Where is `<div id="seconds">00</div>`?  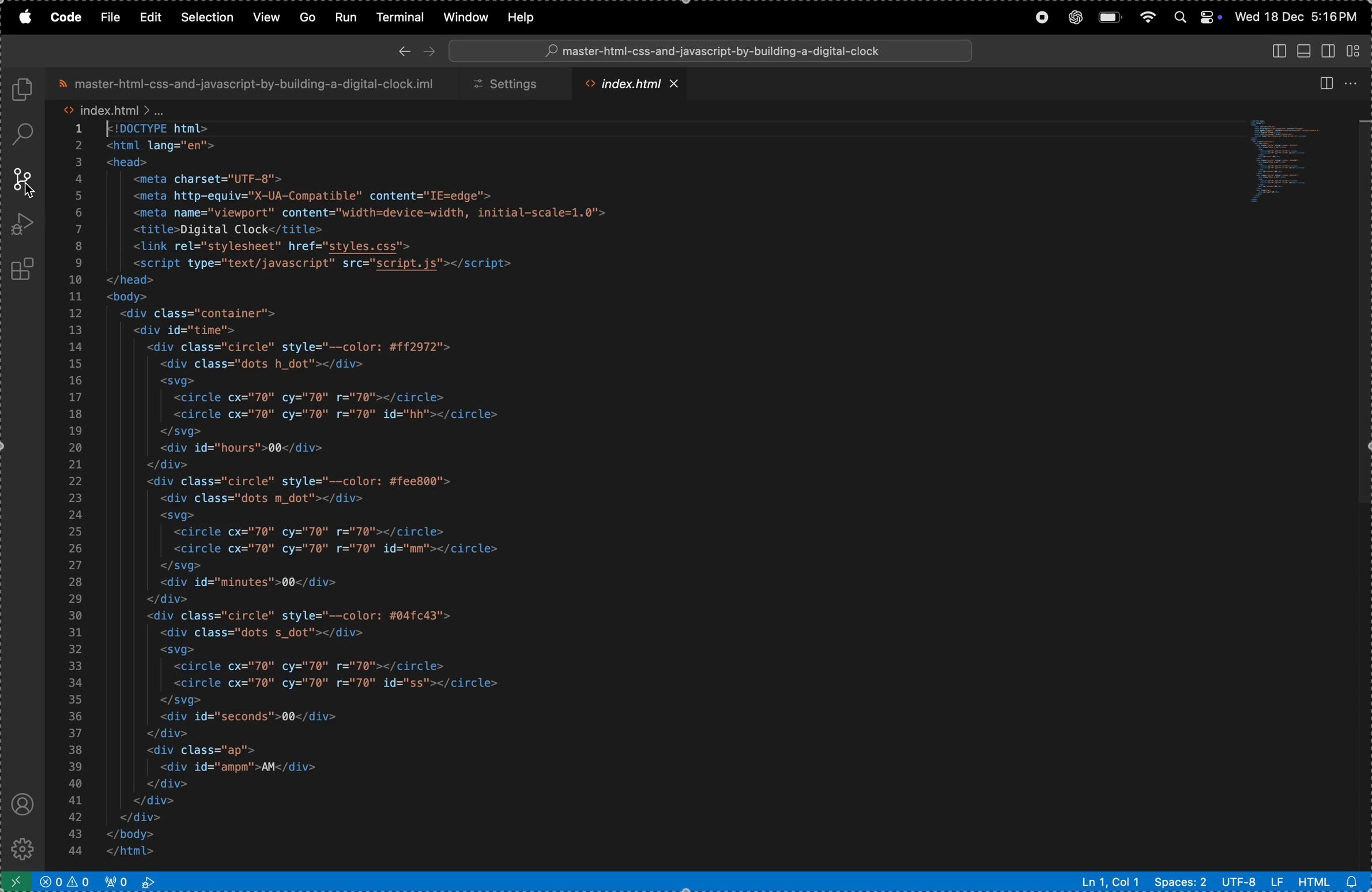 <div id="seconds">00</div> is located at coordinates (247, 716).